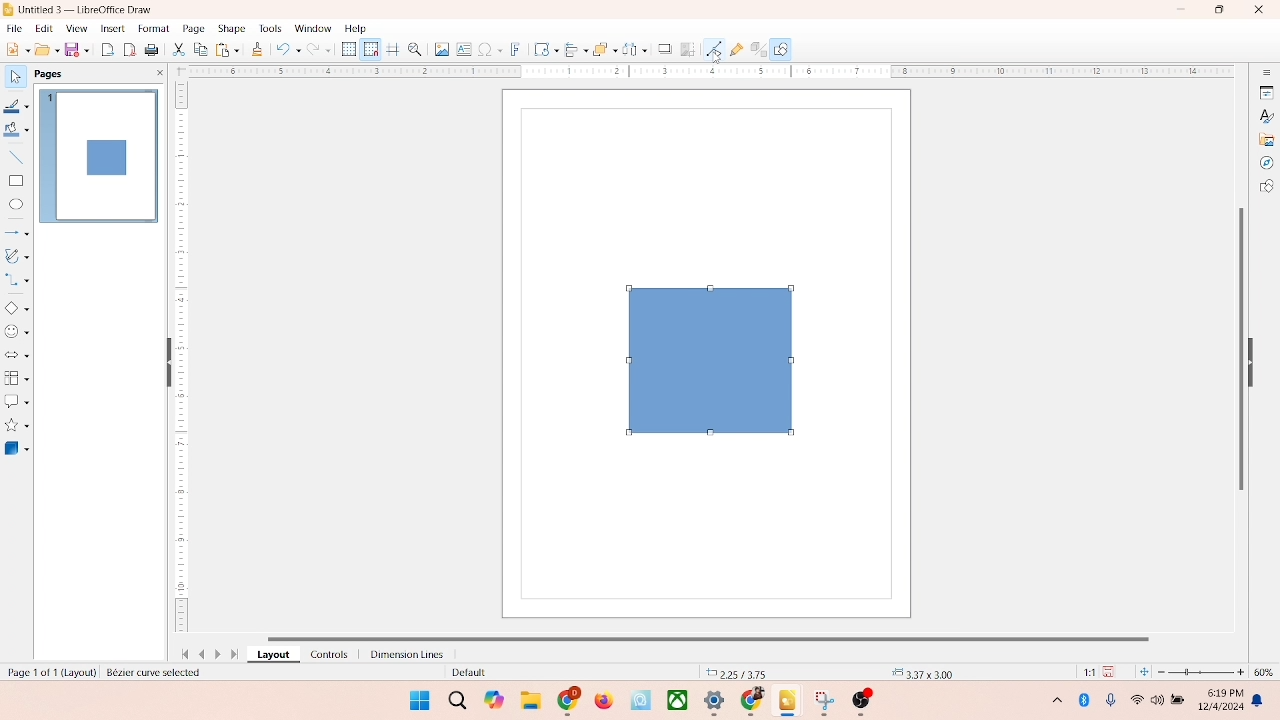 Image resolution: width=1280 pixels, height=720 pixels. Describe the element at coordinates (458, 701) in the screenshot. I see `search` at that location.